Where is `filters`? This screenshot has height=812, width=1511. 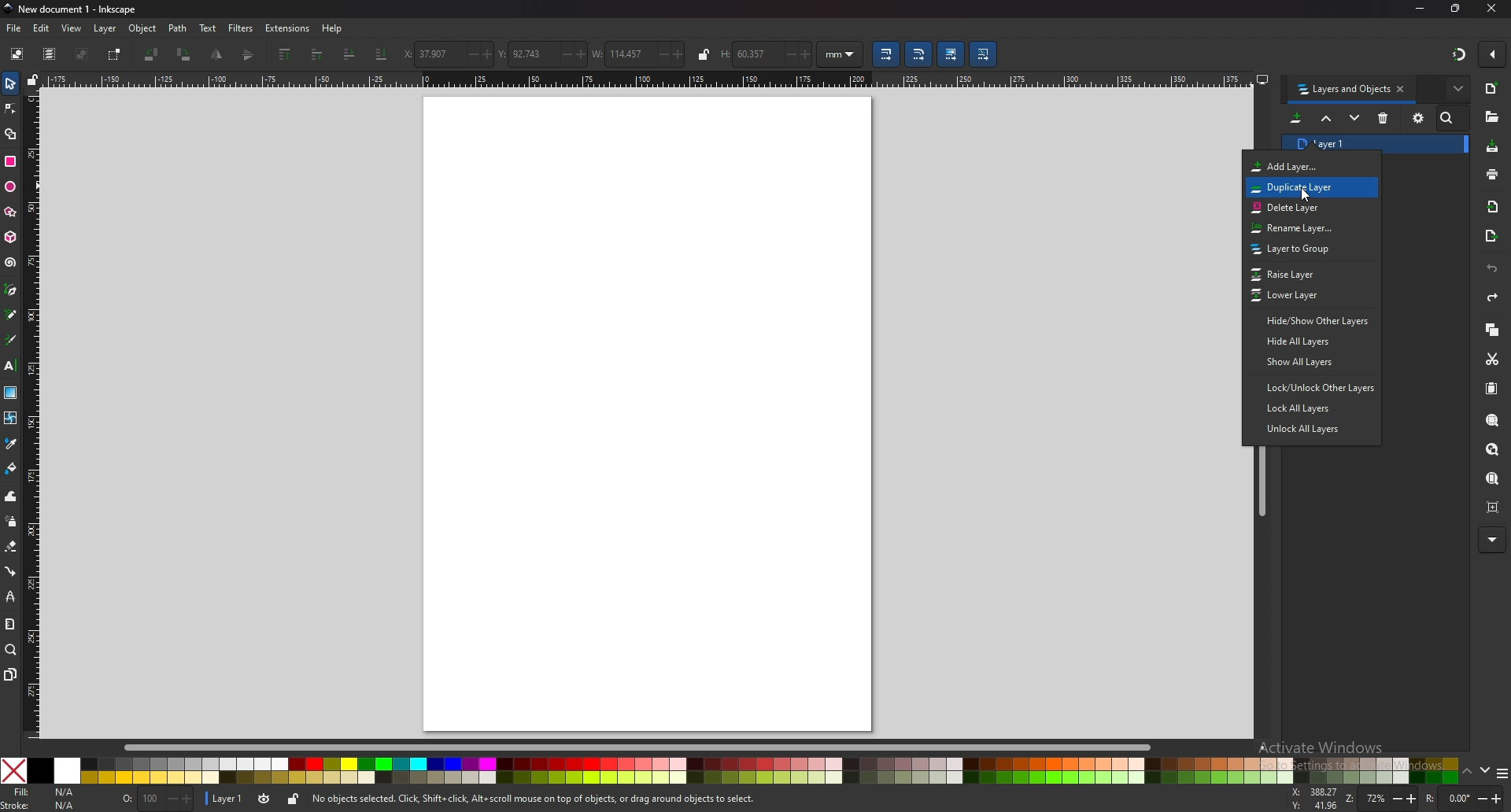 filters is located at coordinates (242, 28).